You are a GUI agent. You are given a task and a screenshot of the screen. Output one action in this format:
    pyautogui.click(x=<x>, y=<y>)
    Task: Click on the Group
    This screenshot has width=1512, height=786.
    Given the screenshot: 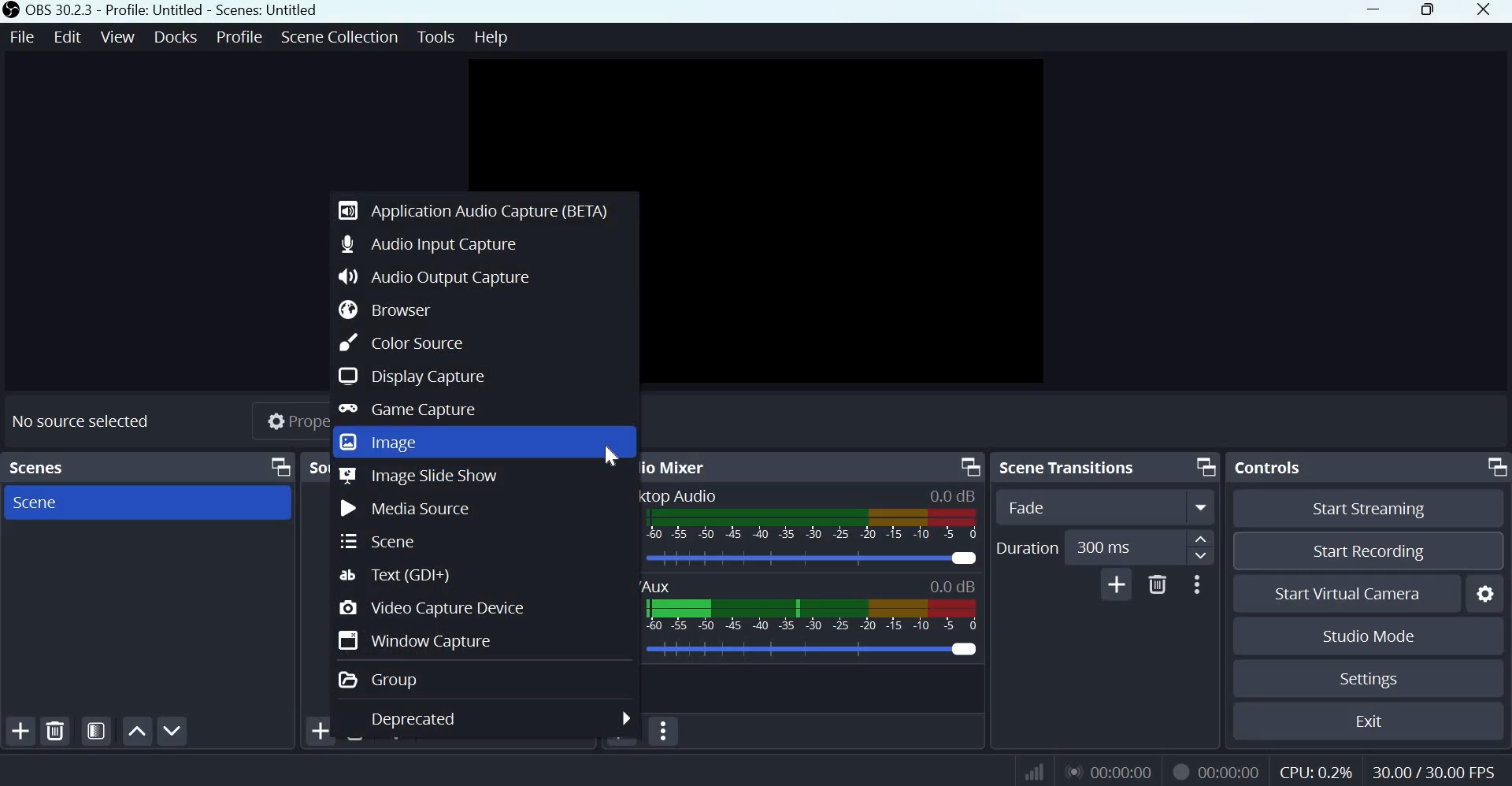 What is the action you would take?
    pyautogui.click(x=379, y=679)
    